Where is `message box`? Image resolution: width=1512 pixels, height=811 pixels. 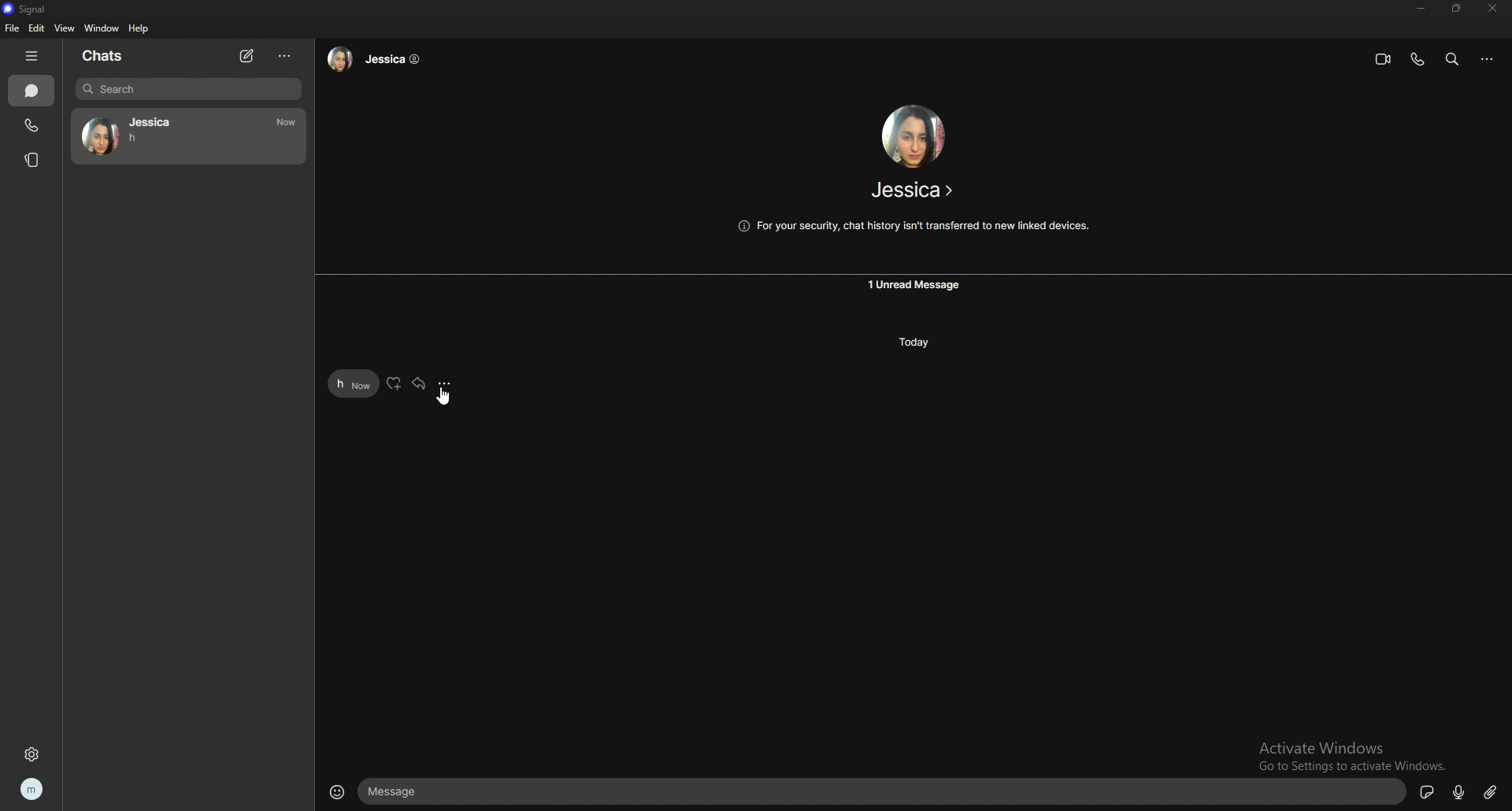 message box is located at coordinates (880, 791).